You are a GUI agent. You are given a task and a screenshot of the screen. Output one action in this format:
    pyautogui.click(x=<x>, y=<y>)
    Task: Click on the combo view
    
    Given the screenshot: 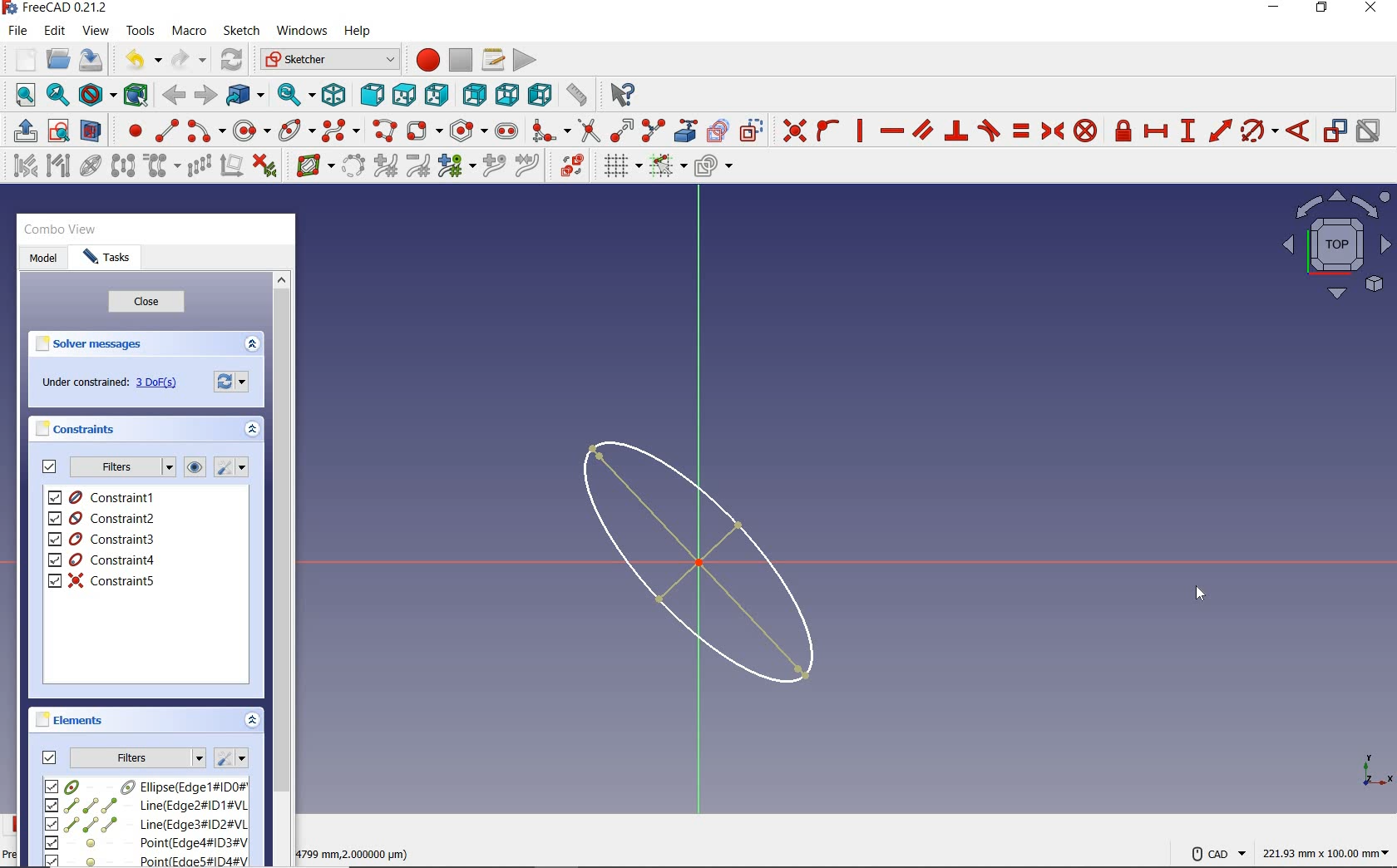 What is the action you would take?
    pyautogui.click(x=61, y=229)
    